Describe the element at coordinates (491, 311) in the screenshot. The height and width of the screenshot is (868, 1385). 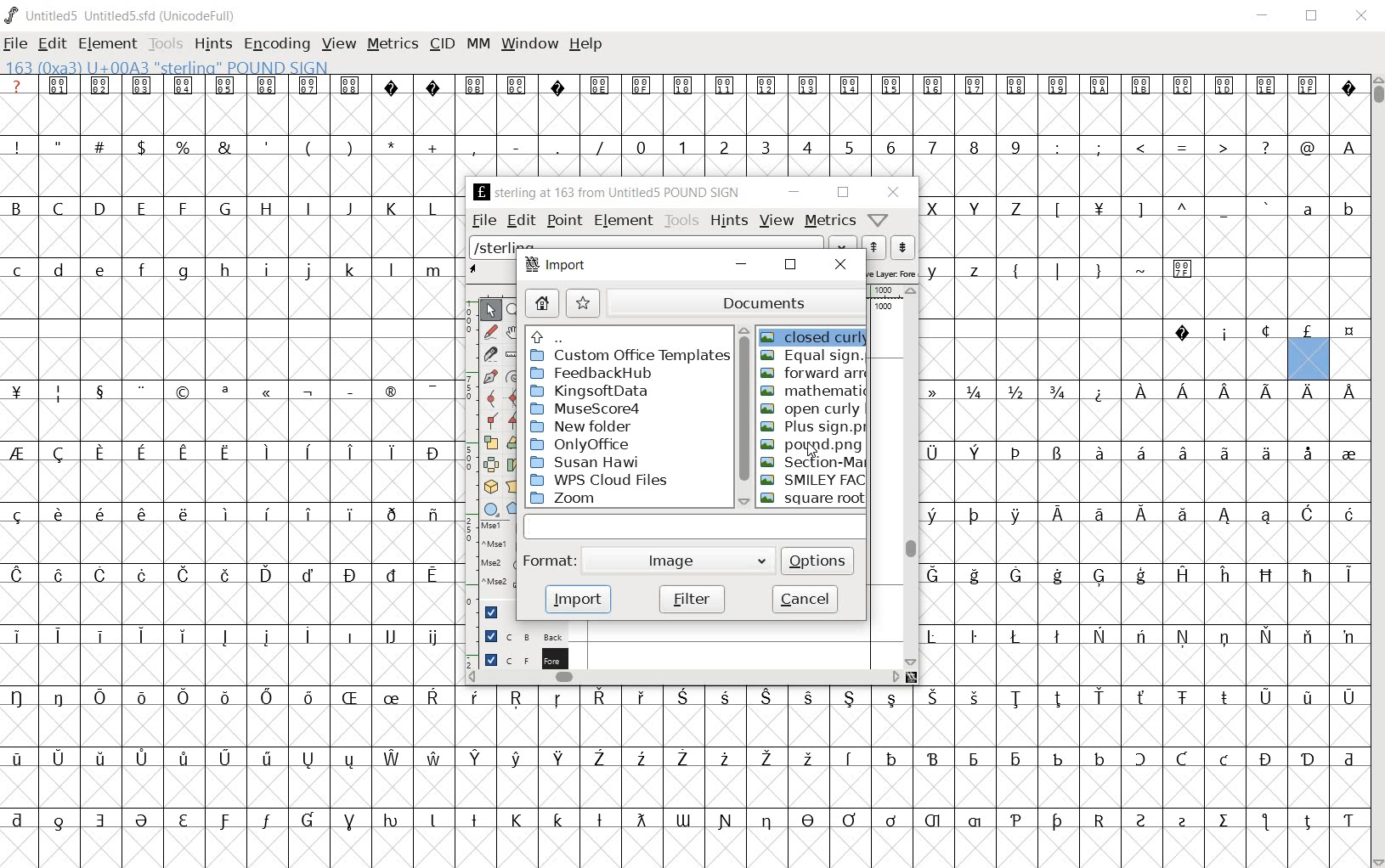
I see `point` at that location.